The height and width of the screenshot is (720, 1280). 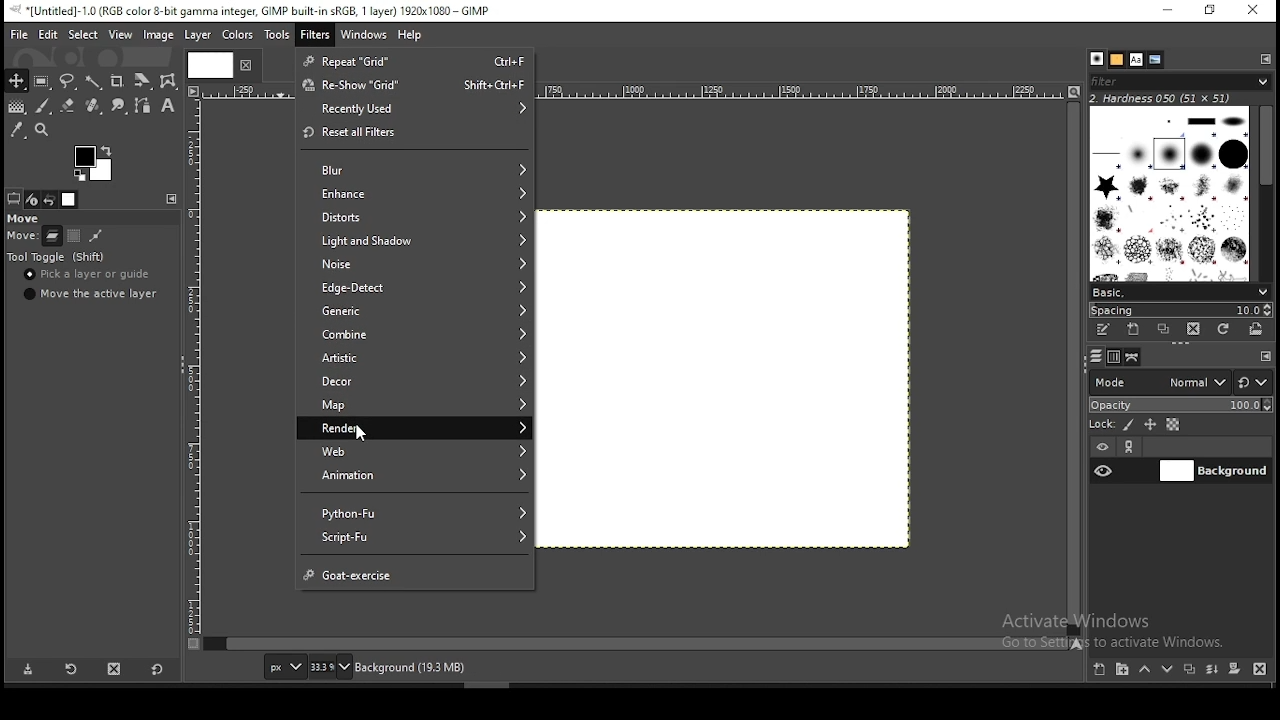 I want to click on crop tool, so click(x=117, y=83).